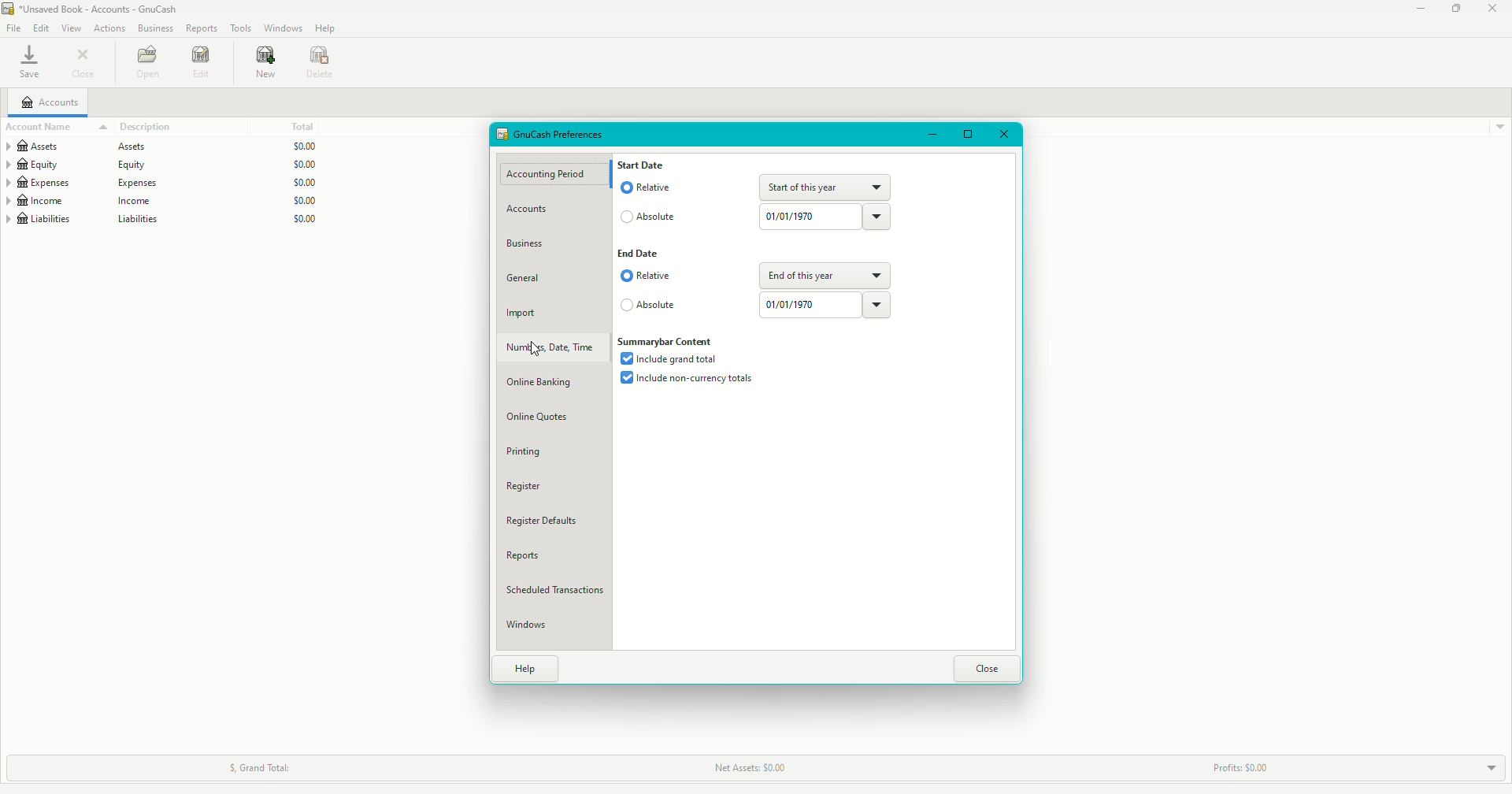 The width and height of the screenshot is (1512, 794). I want to click on Restore, so click(968, 132).